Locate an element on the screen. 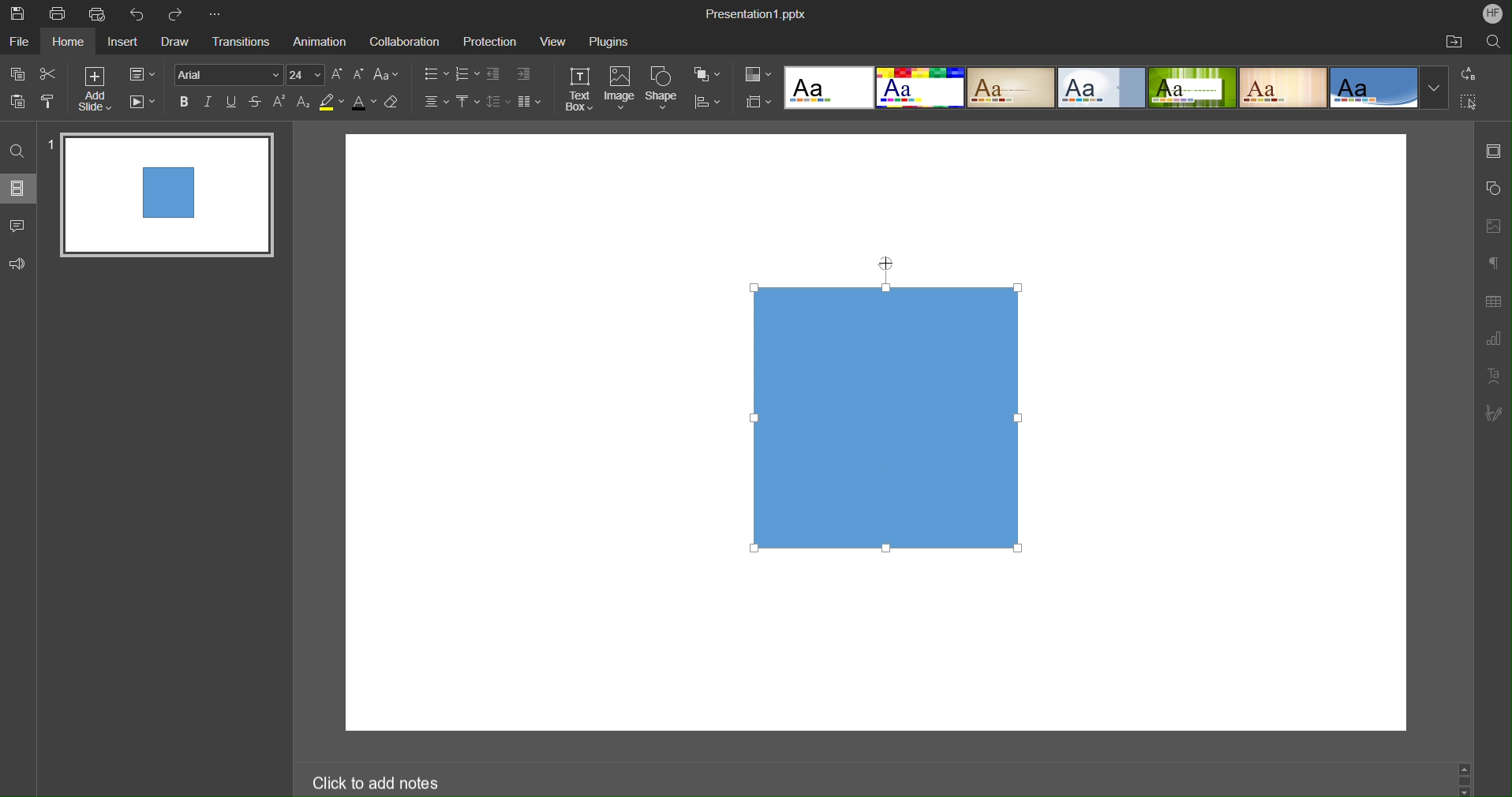 Image resolution: width=1512 pixels, height=797 pixels. Strikethrough is located at coordinates (256, 103).